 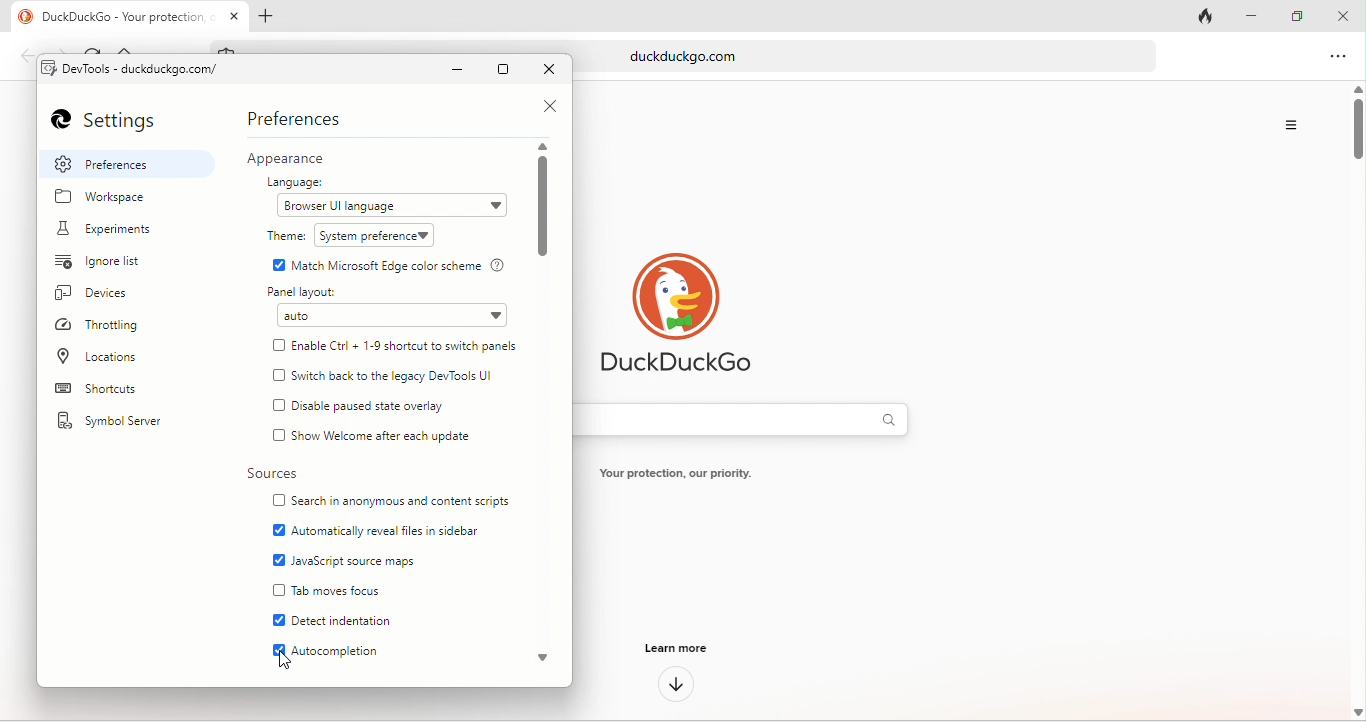 I want to click on auto, so click(x=394, y=315).